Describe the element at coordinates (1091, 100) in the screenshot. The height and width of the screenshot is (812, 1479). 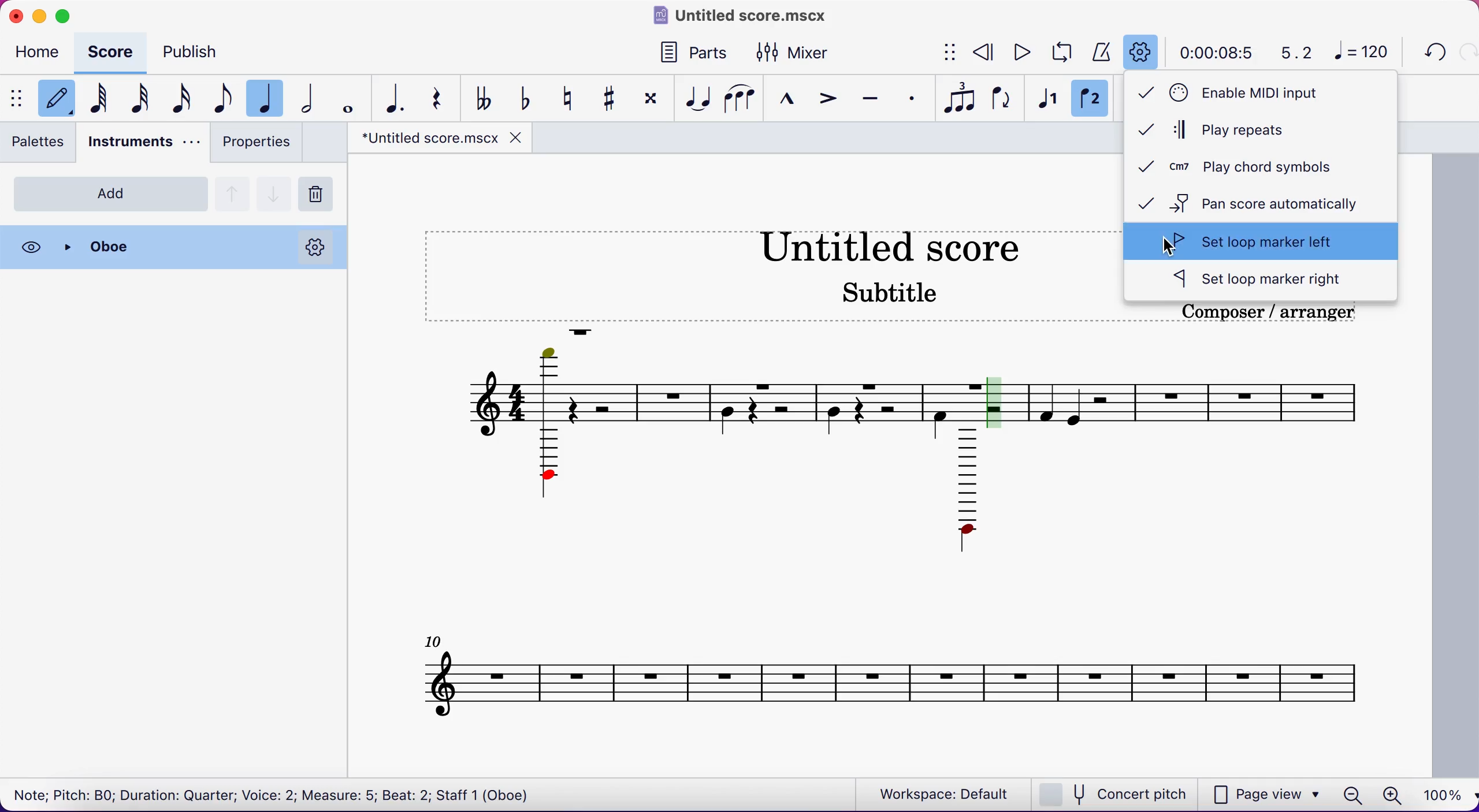
I see `voice2` at that location.